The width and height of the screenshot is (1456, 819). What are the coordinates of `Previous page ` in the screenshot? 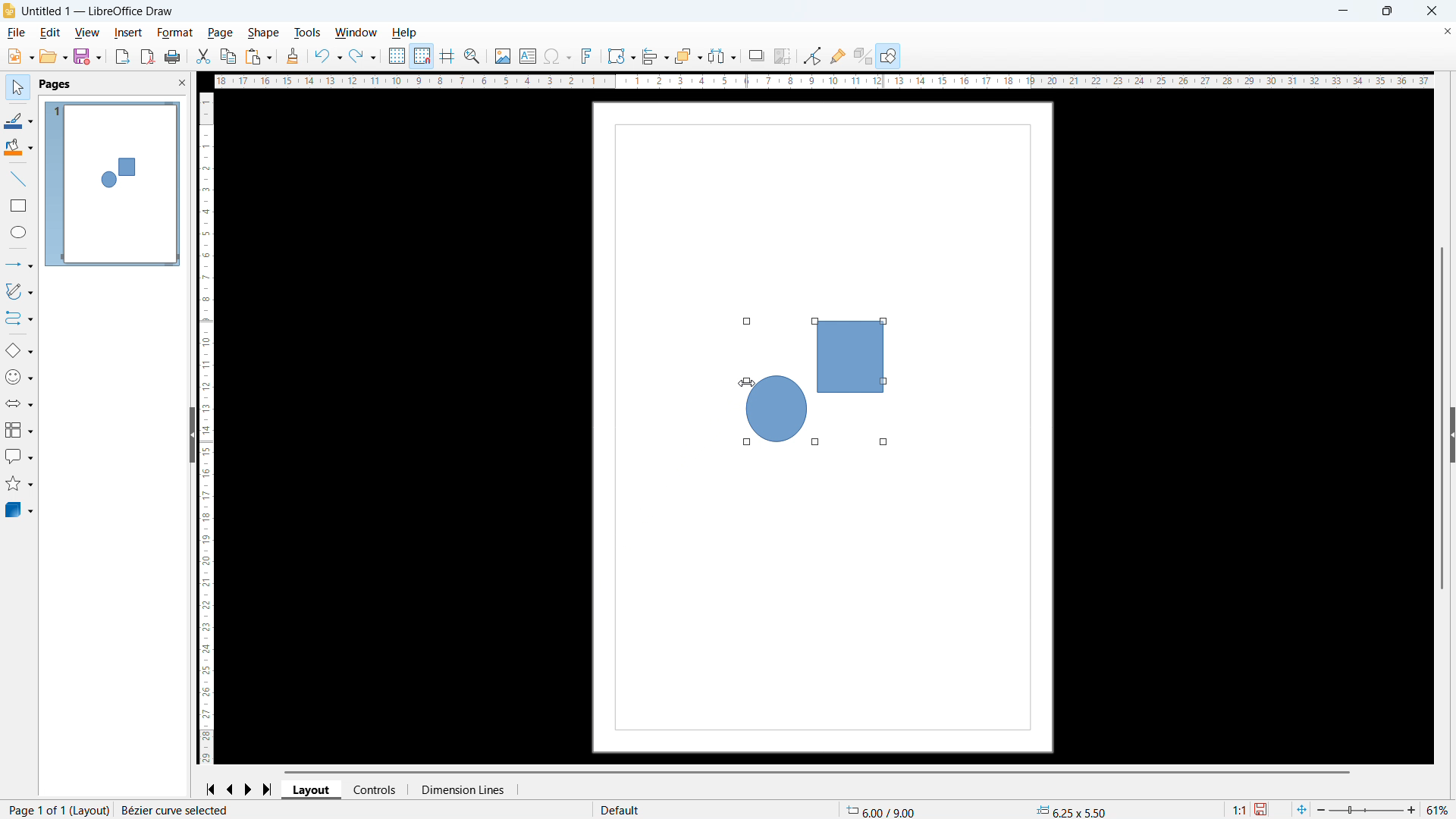 It's located at (231, 790).